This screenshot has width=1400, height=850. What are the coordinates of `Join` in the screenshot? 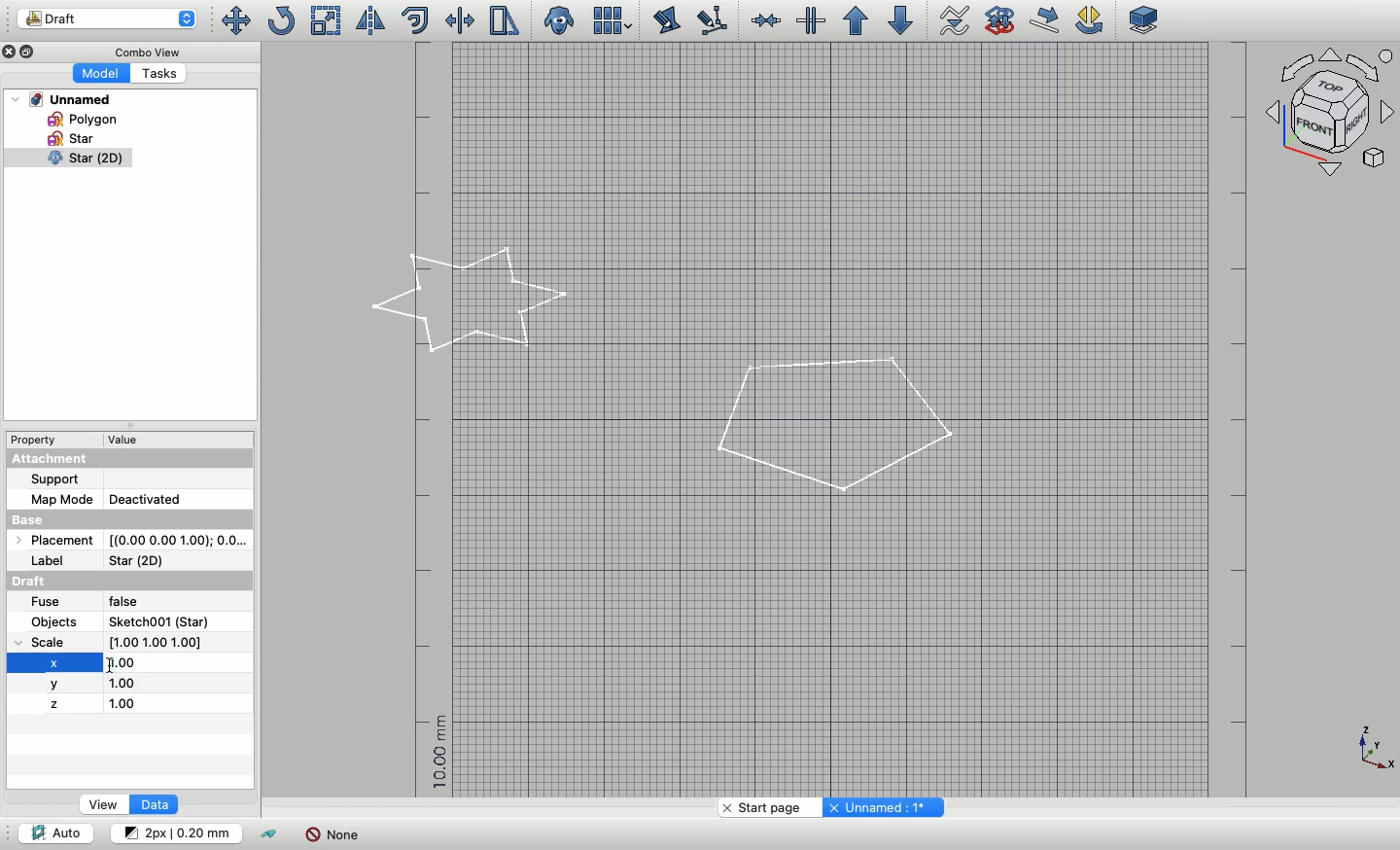 It's located at (765, 20).